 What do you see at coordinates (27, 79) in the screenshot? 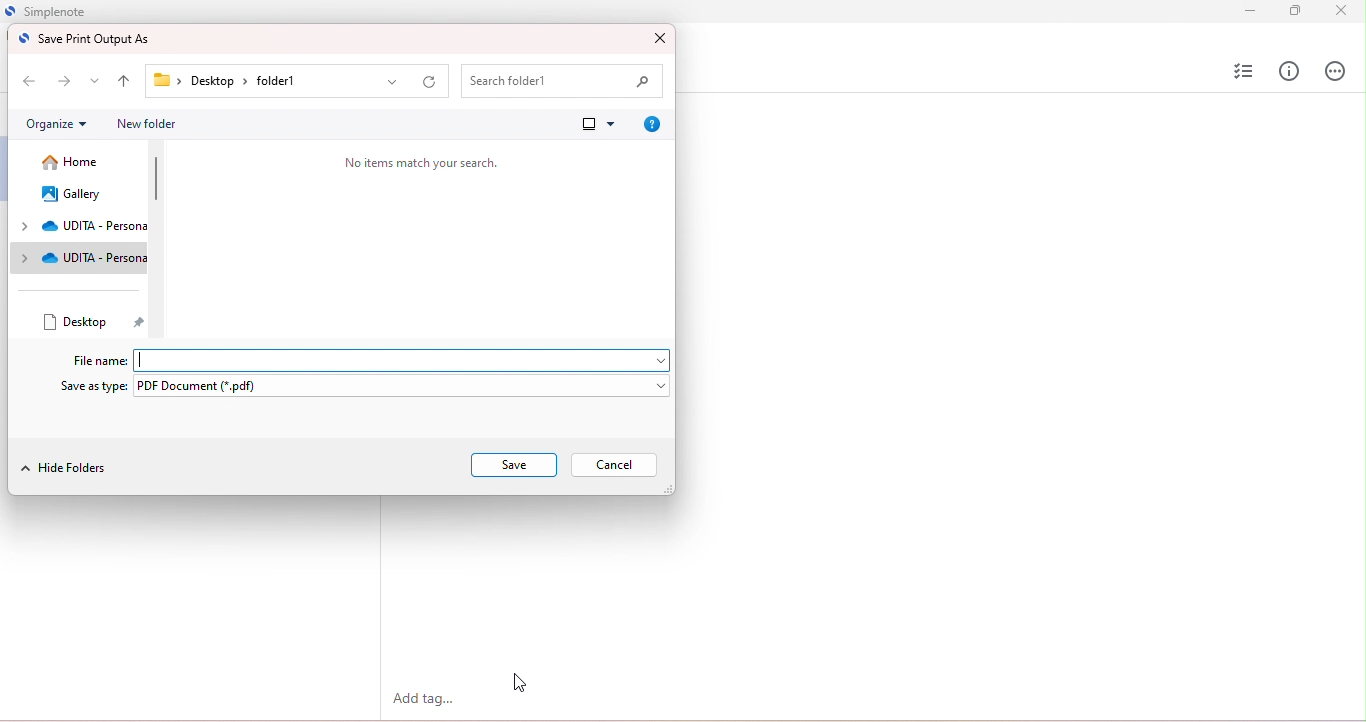
I see `previous` at bounding box center [27, 79].